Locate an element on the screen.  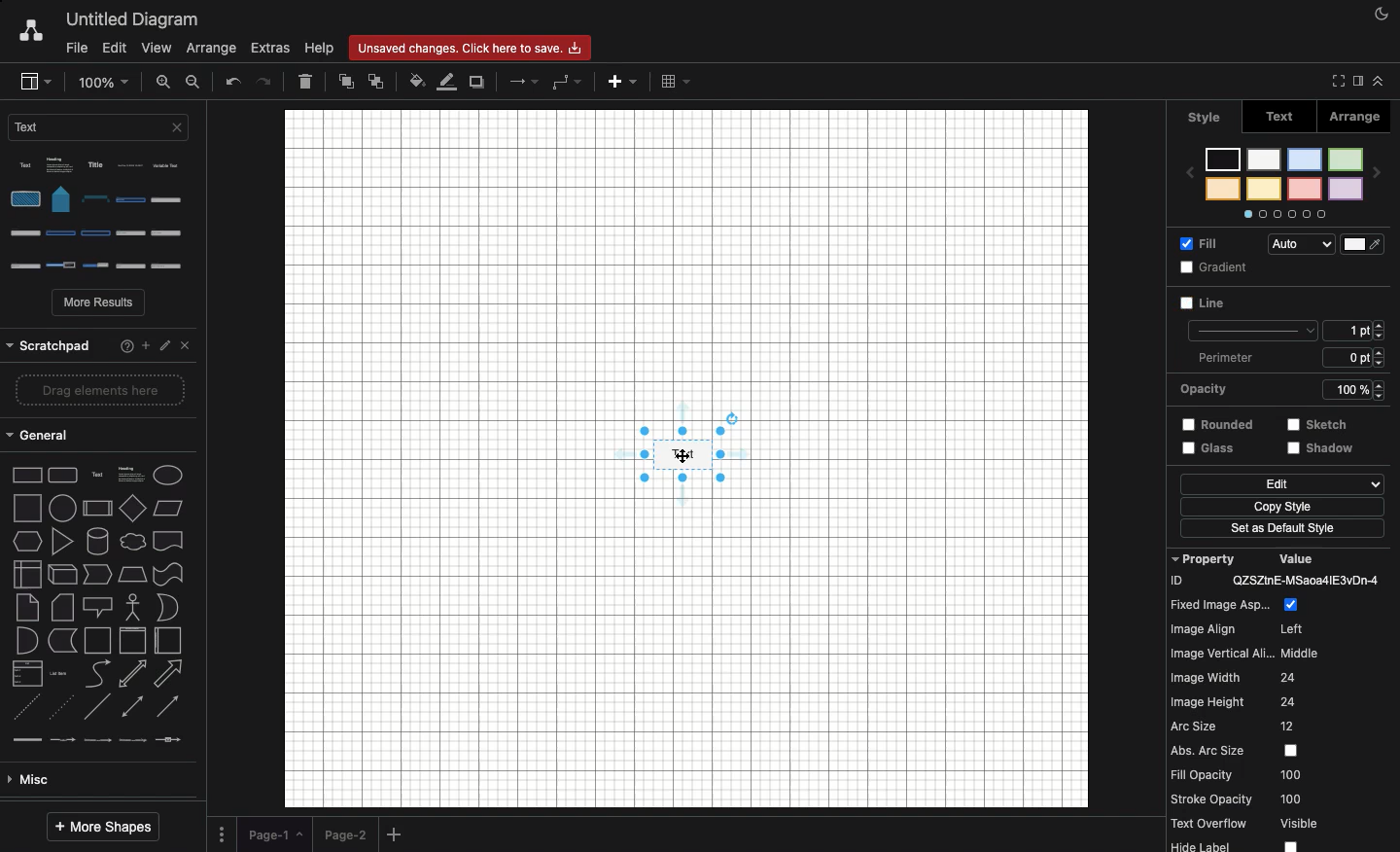
Size is located at coordinates (1358, 301).